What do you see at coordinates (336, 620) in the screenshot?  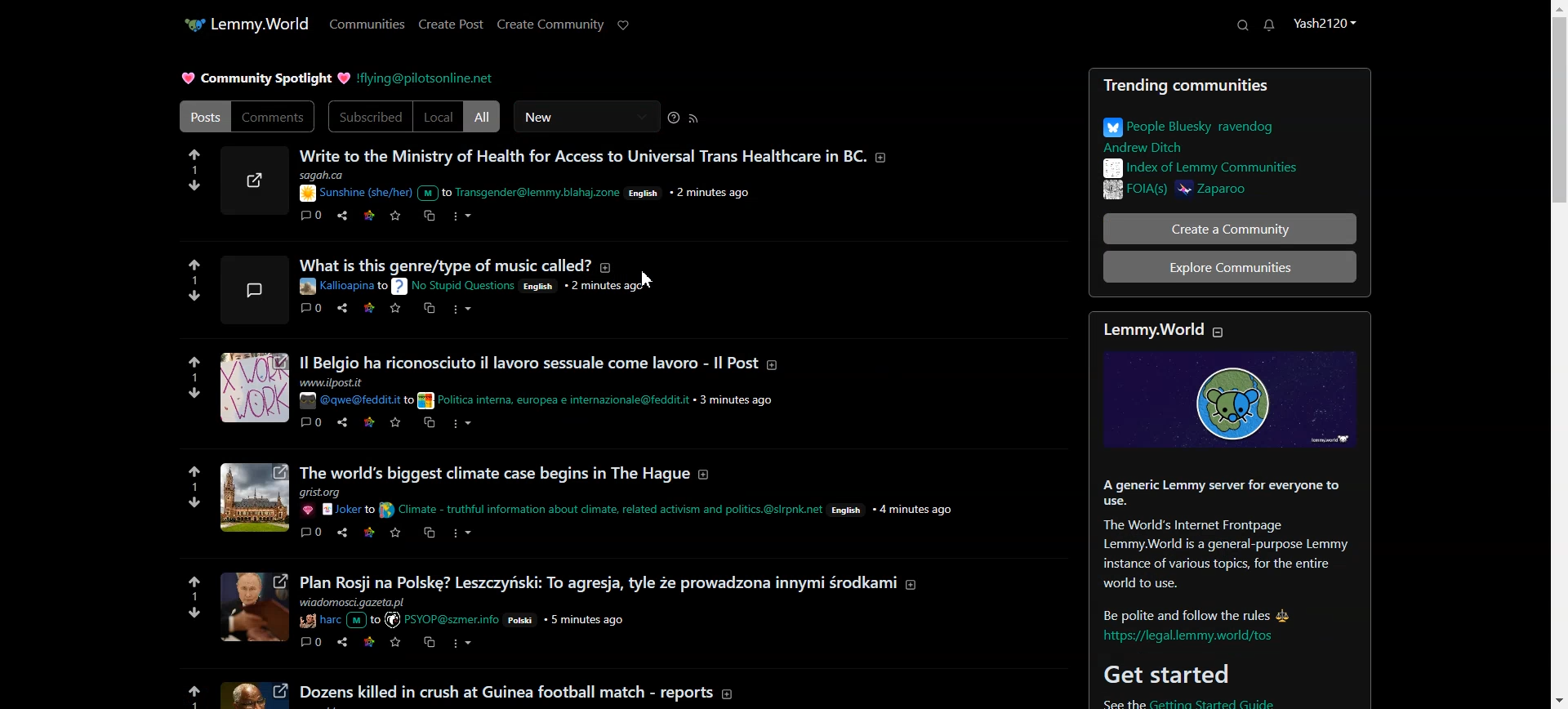 I see `` at bounding box center [336, 620].